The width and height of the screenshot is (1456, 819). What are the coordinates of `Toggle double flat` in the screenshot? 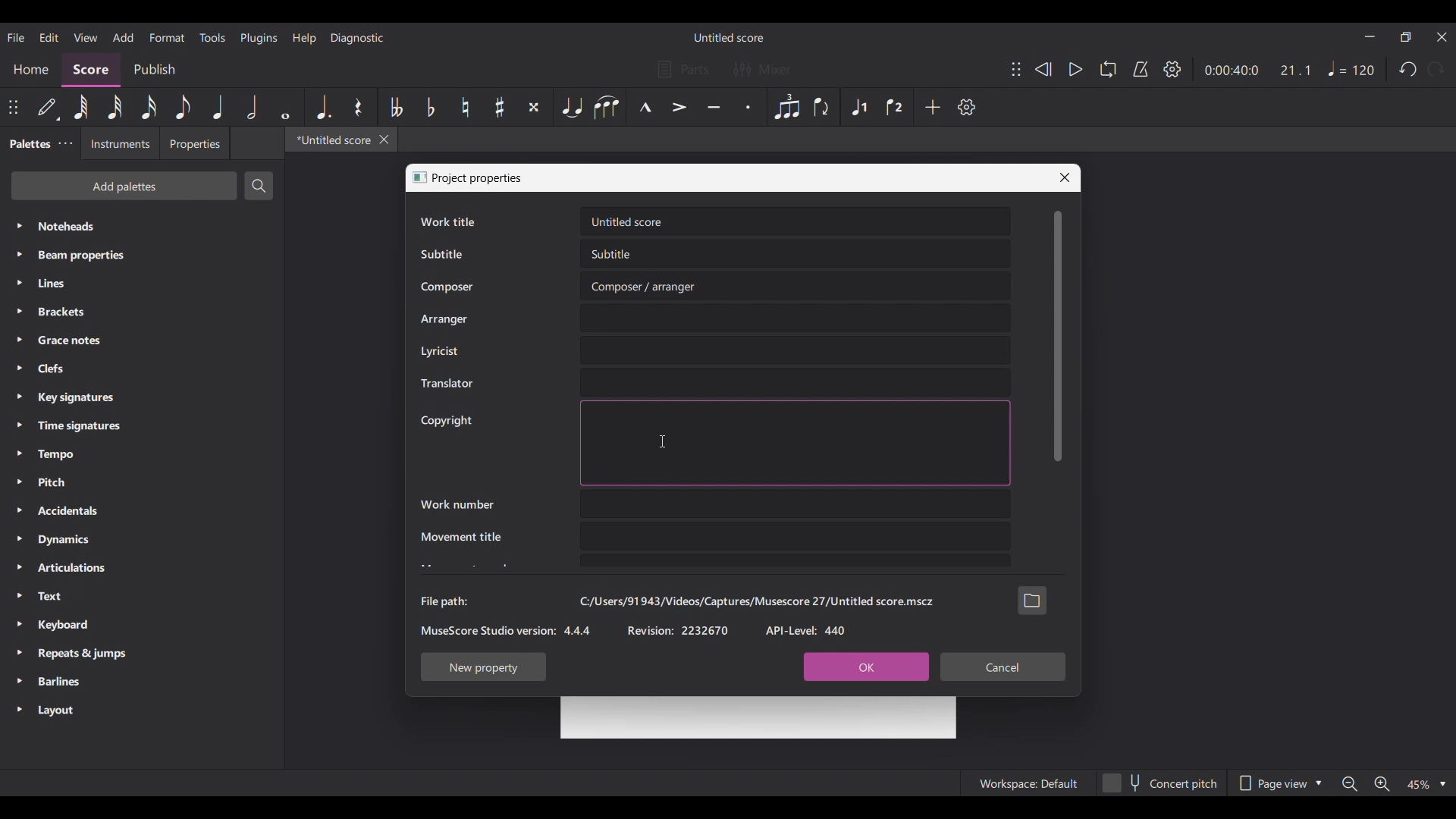 It's located at (395, 107).